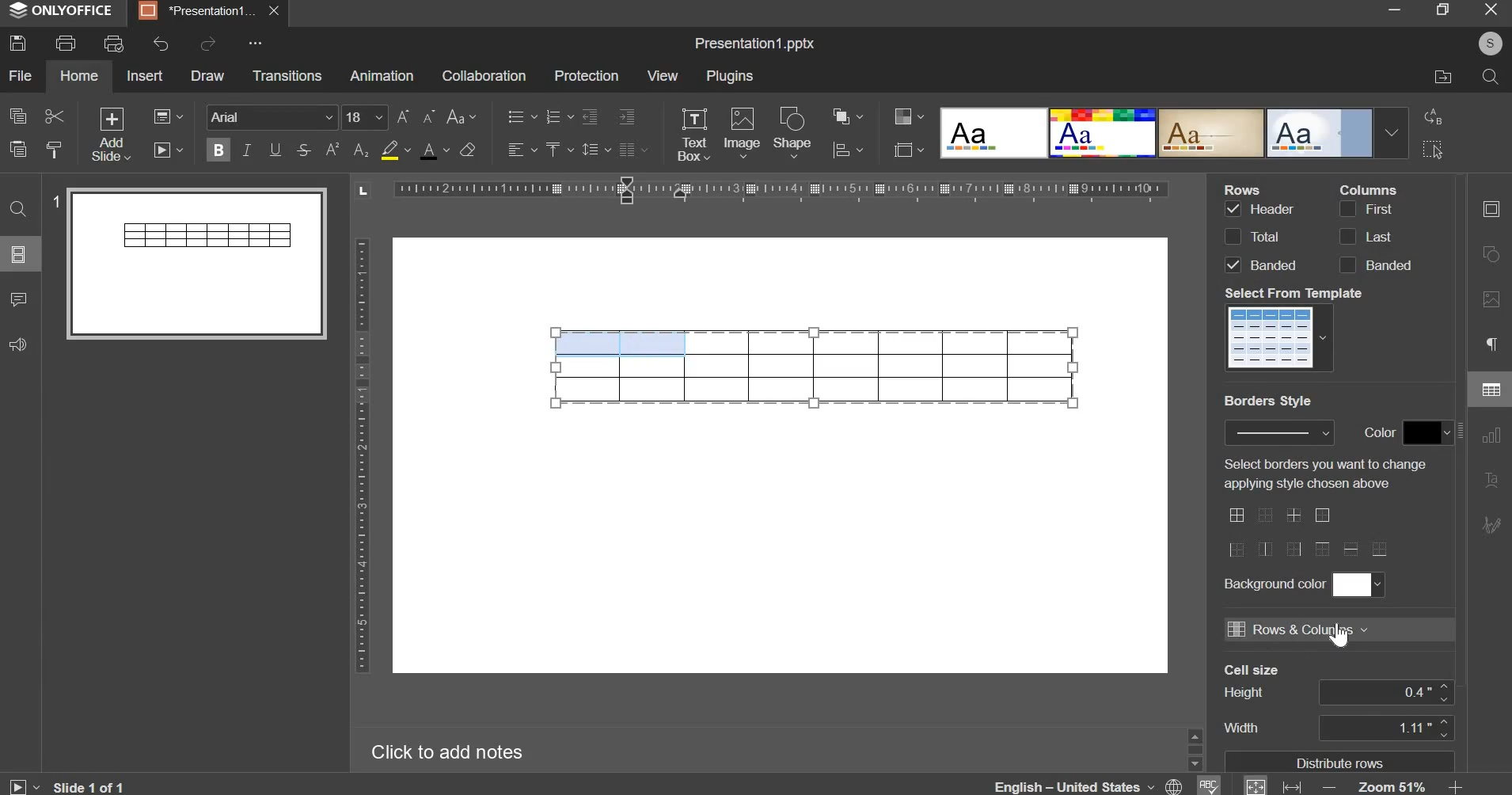  What do you see at coordinates (302, 150) in the screenshot?
I see `strikethrough` at bounding box center [302, 150].